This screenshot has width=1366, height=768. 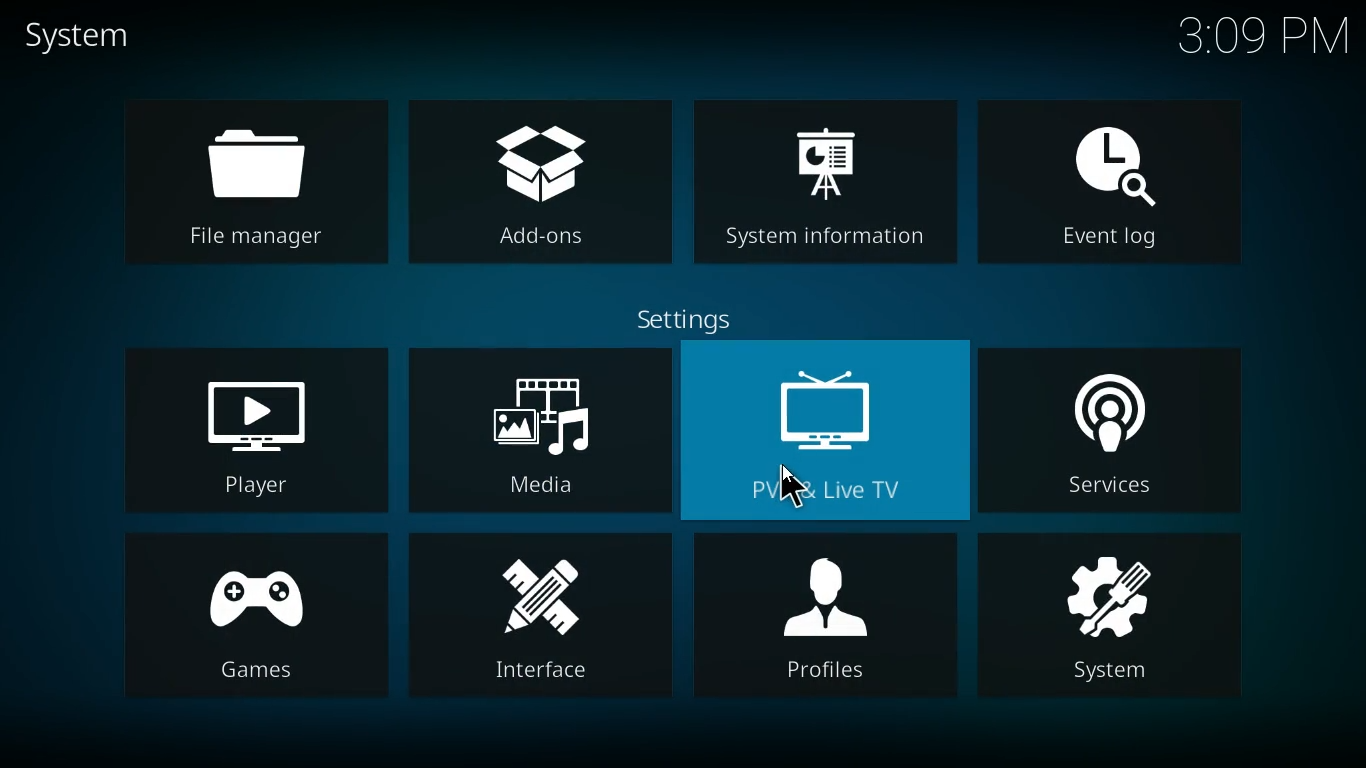 I want to click on pvr & live tv, so click(x=826, y=428).